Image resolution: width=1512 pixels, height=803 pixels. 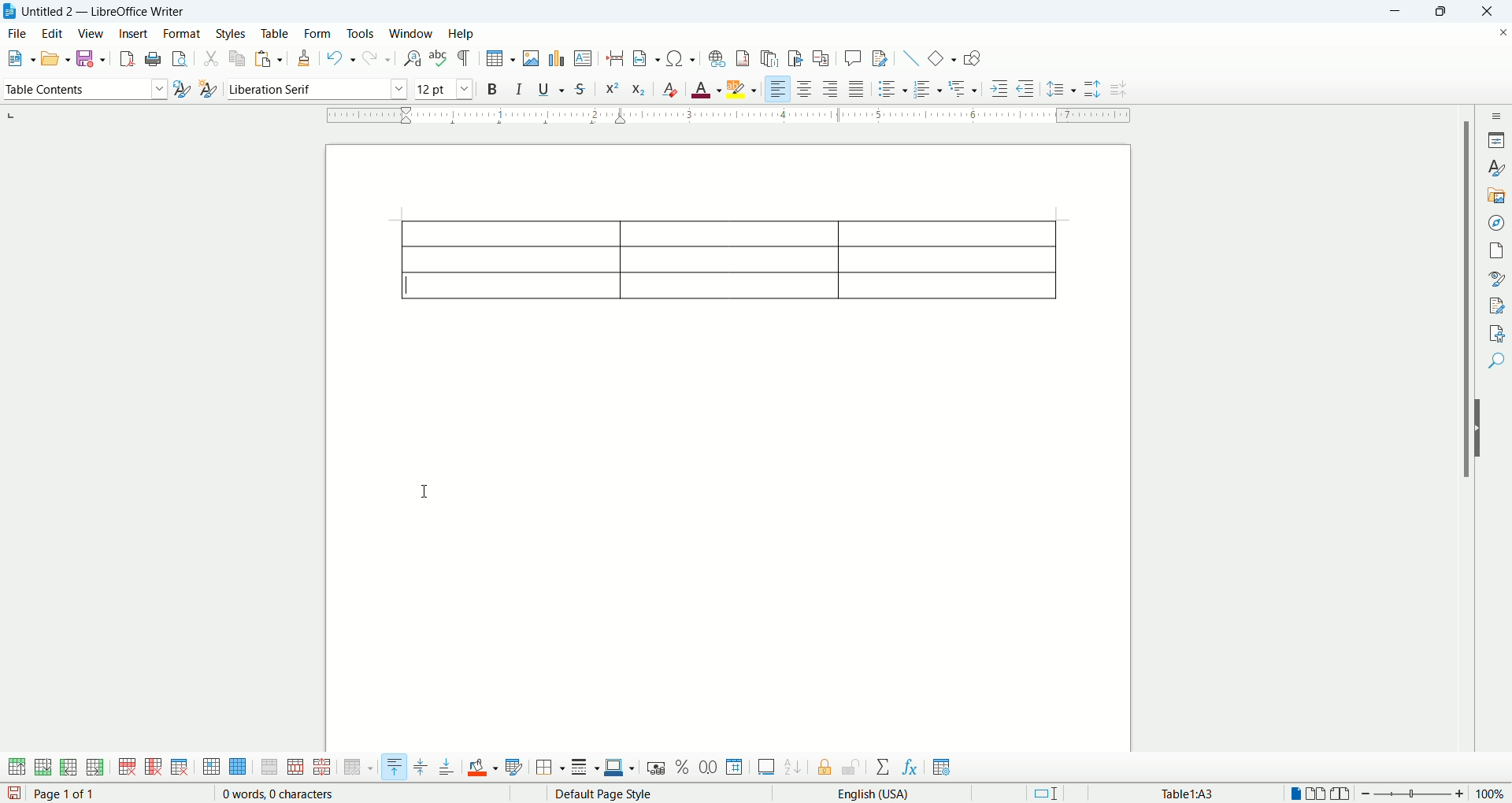 What do you see at coordinates (276, 35) in the screenshot?
I see `table` at bounding box center [276, 35].